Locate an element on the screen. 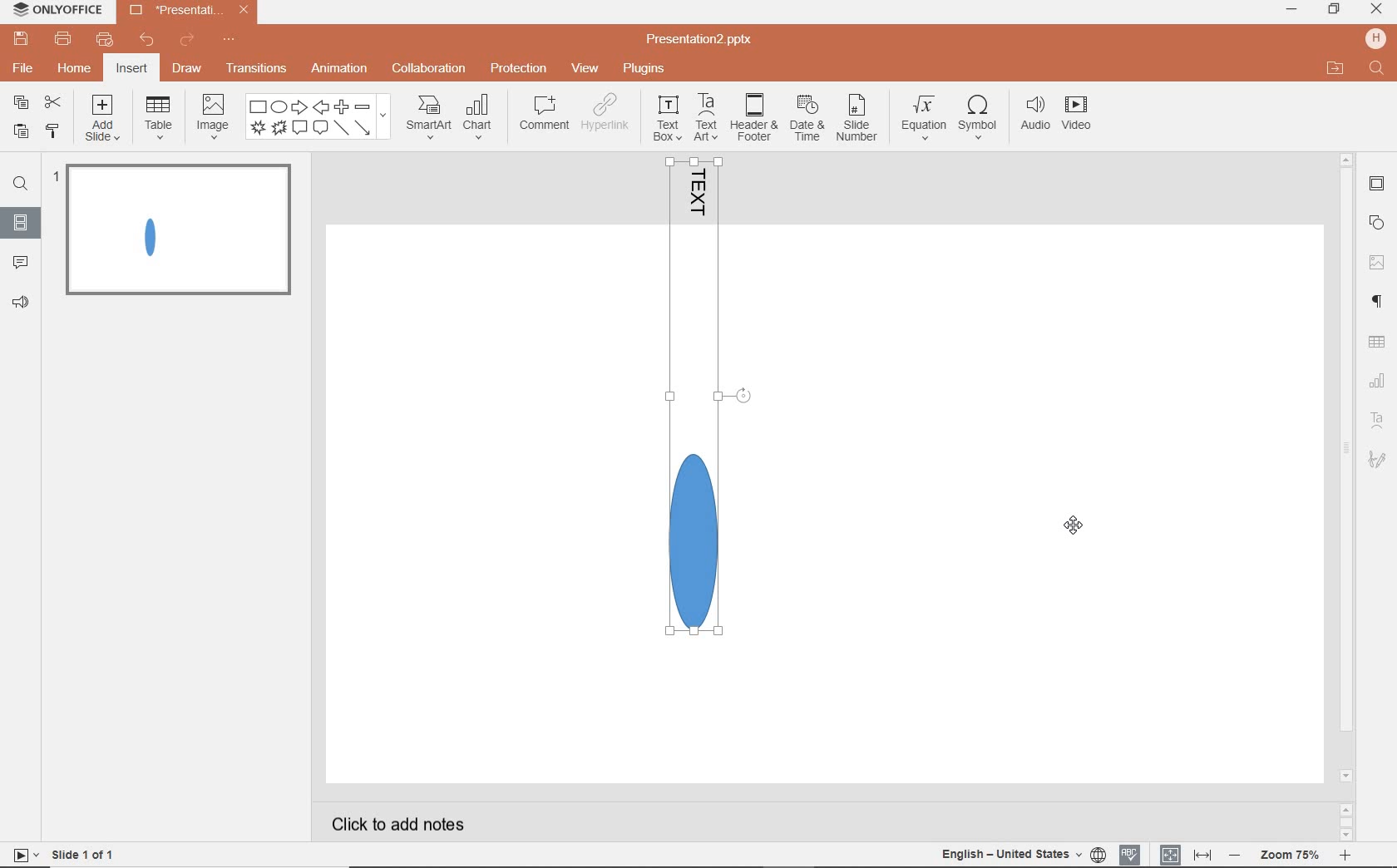 This screenshot has height=868, width=1397. header & footer is located at coordinates (752, 119).